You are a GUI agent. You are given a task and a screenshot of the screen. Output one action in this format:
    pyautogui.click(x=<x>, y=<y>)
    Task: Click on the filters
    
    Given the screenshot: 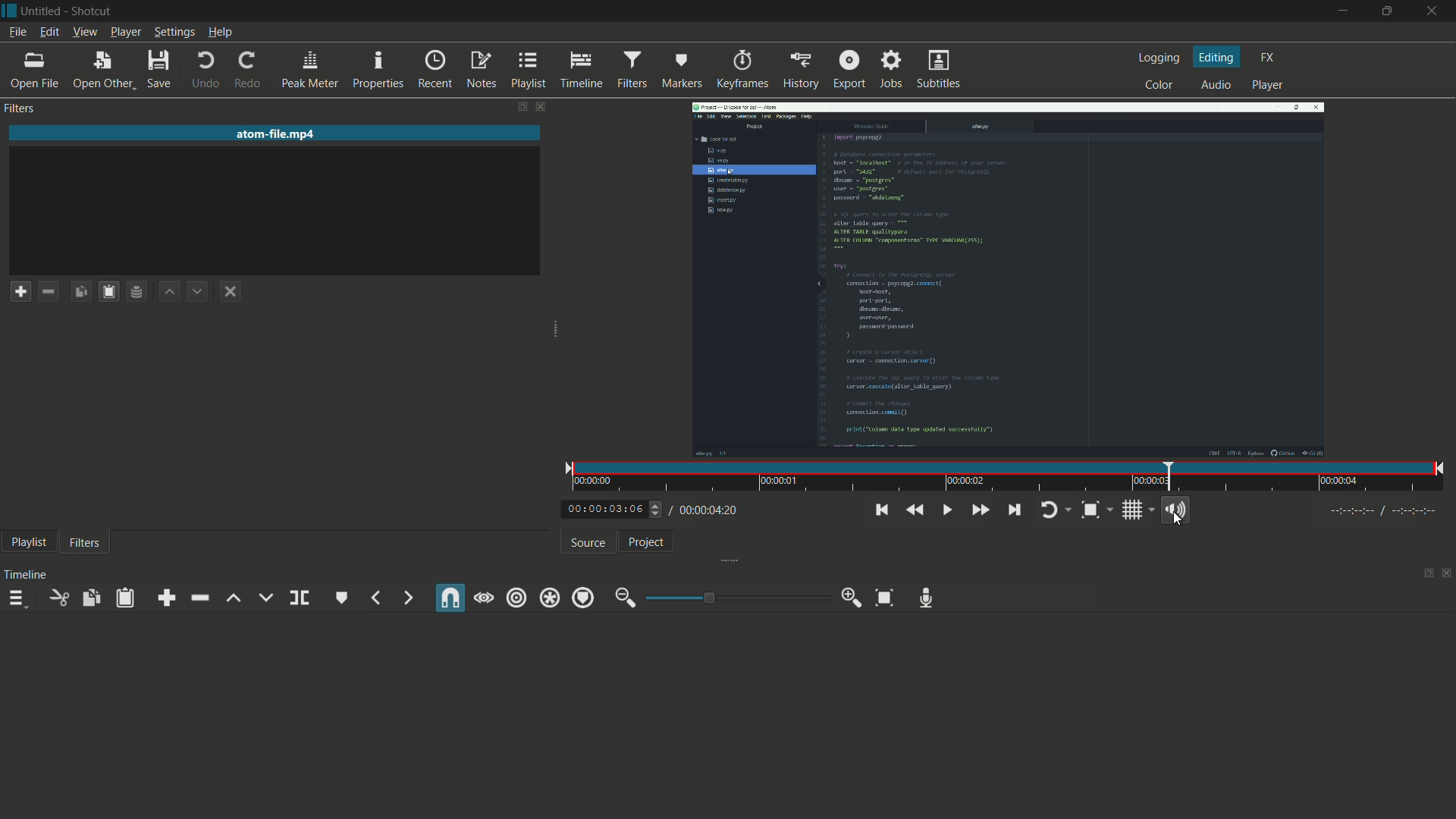 What is the action you would take?
    pyautogui.click(x=630, y=70)
    